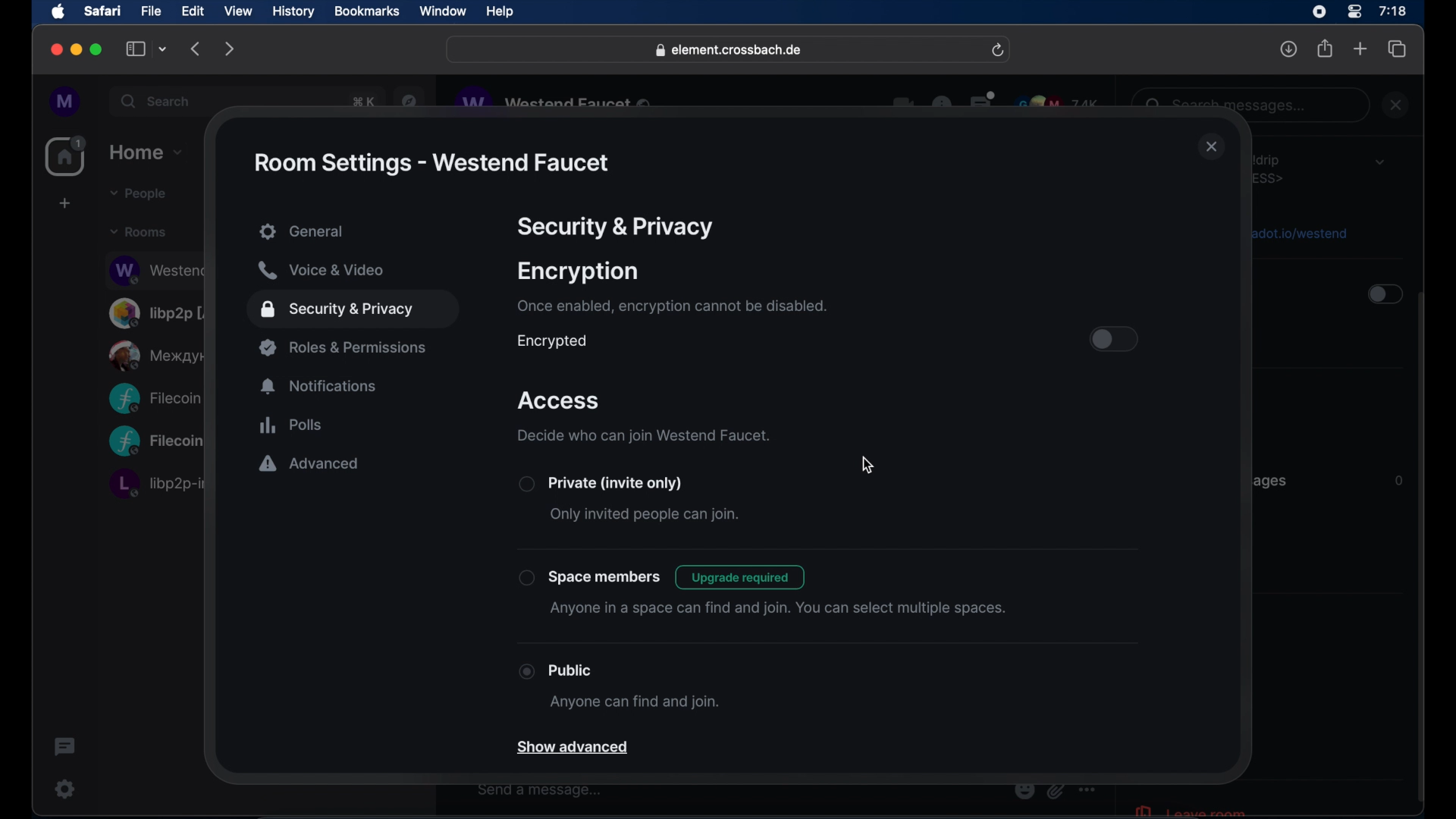 The width and height of the screenshot is (1456, 819). What do you see at coordinates (556, 670) in the screenshot?
I see `public` at bounding box center [556, 670].